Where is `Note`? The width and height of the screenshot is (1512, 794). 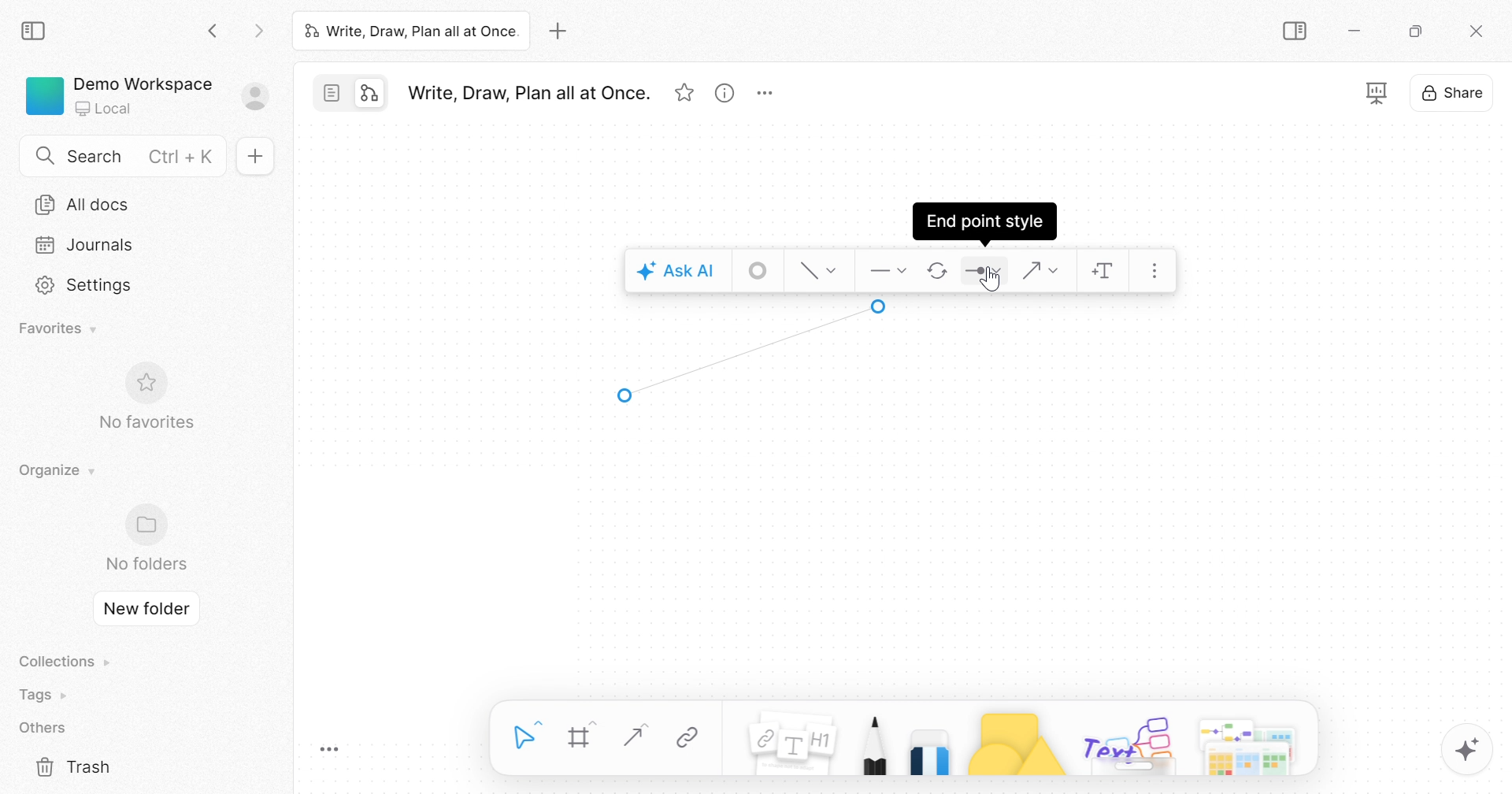
Note is located at coordinates (789, 747).